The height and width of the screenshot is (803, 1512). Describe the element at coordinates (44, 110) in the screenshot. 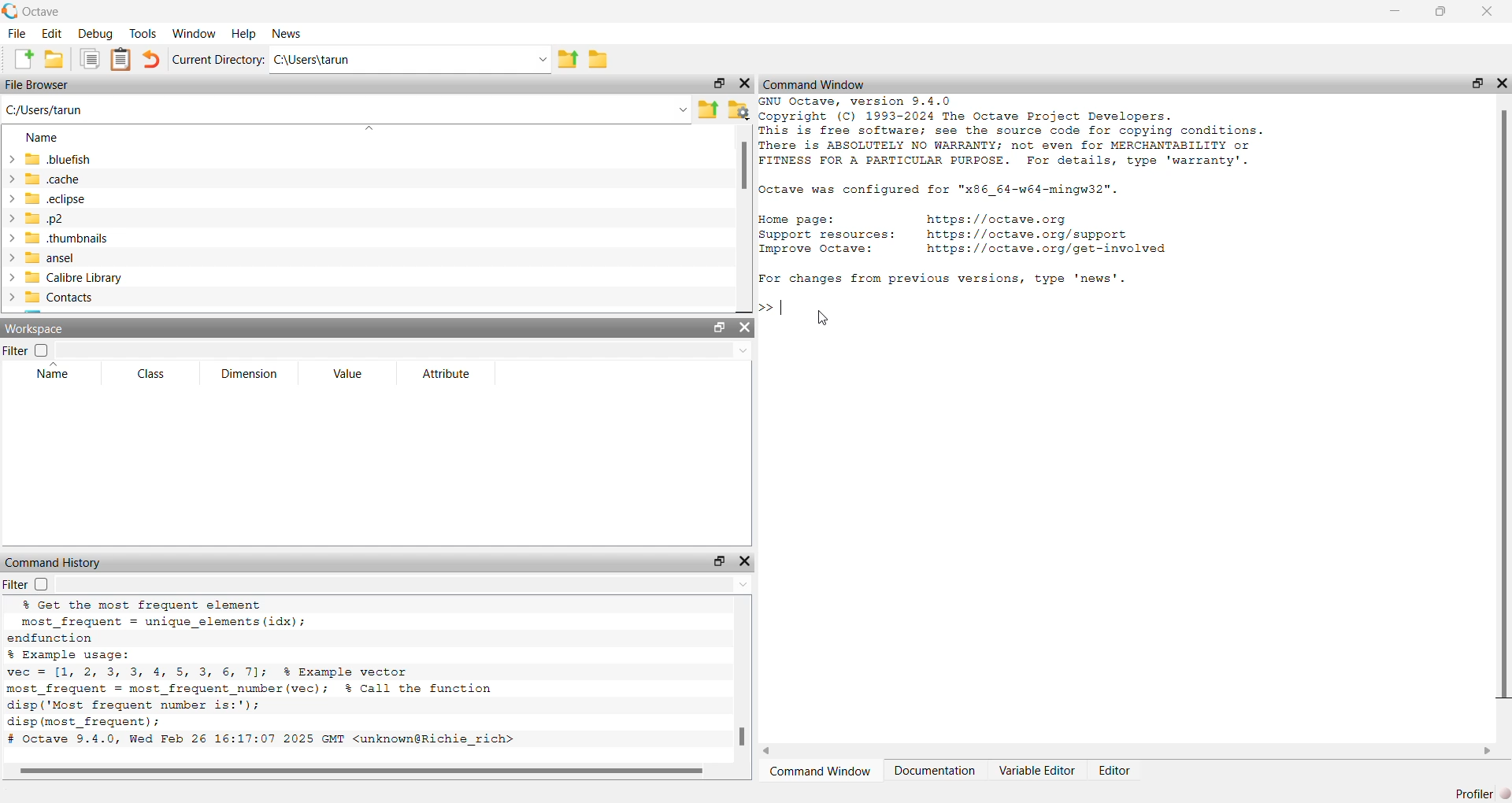

I see `C:/Users/tarun` at that location.